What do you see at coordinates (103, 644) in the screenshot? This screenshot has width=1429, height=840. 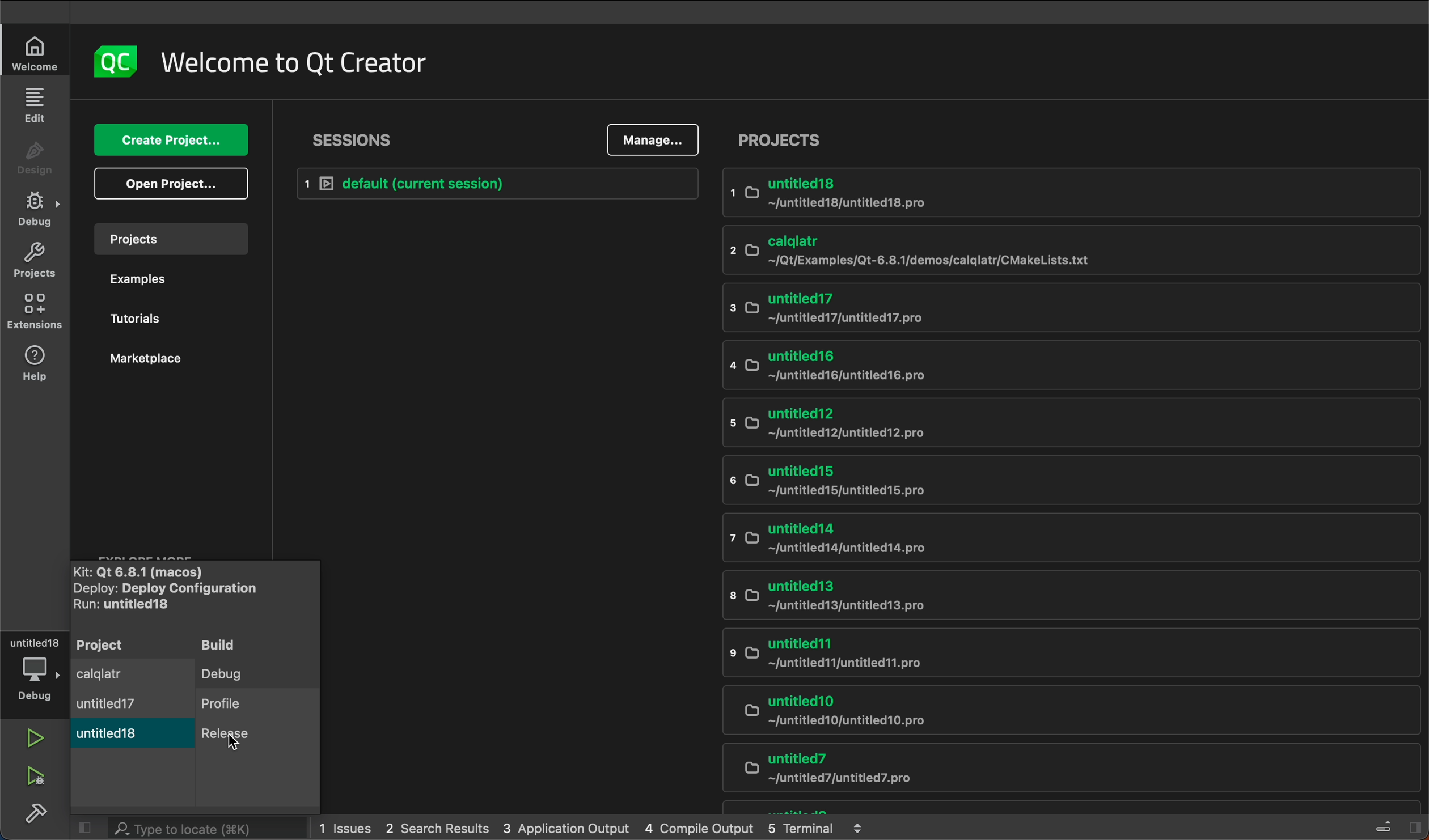 I see `project` at bounding box center [103, 644].